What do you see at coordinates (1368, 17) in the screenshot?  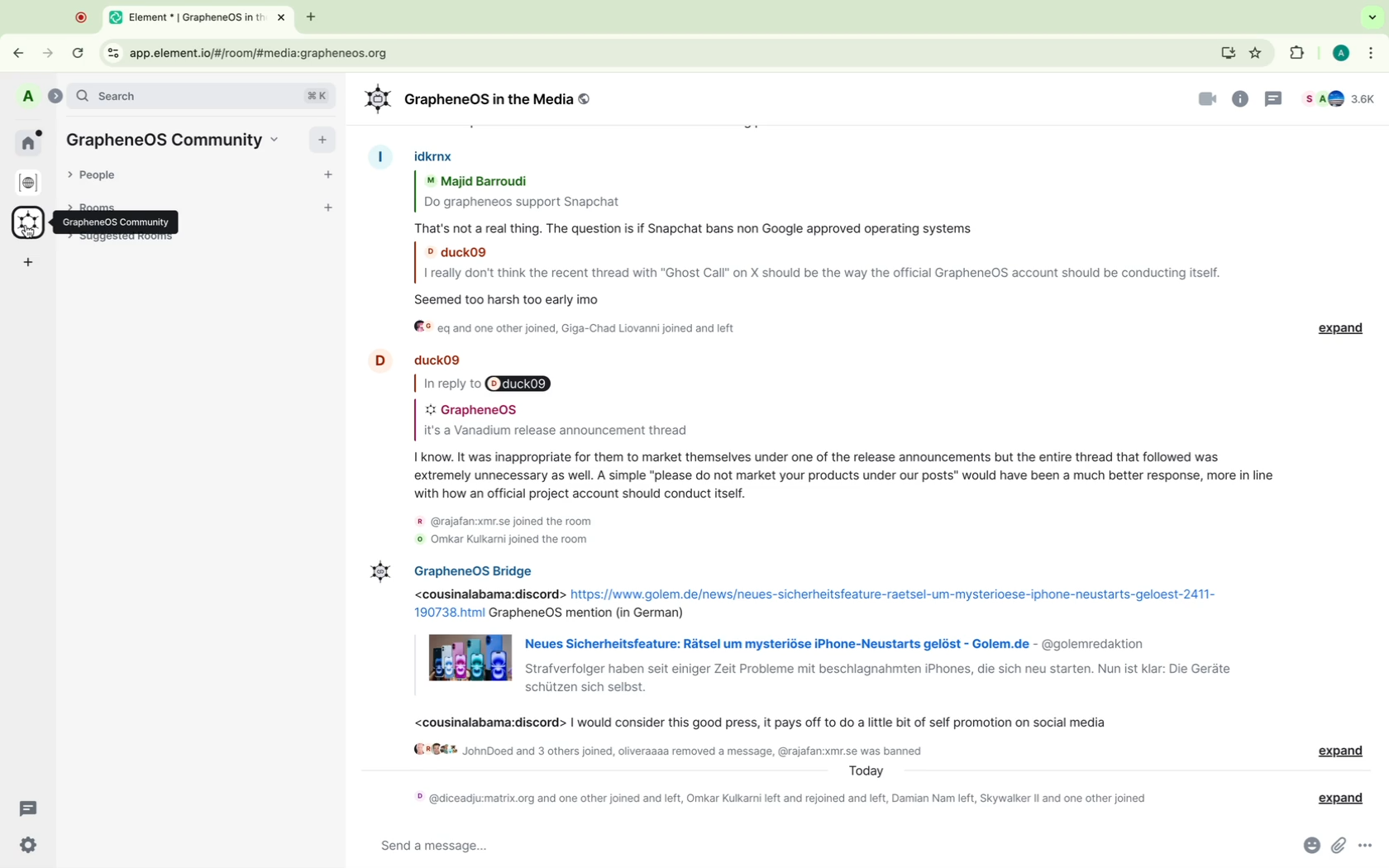 I see `search tabs` at bounding box center [1368, 17].